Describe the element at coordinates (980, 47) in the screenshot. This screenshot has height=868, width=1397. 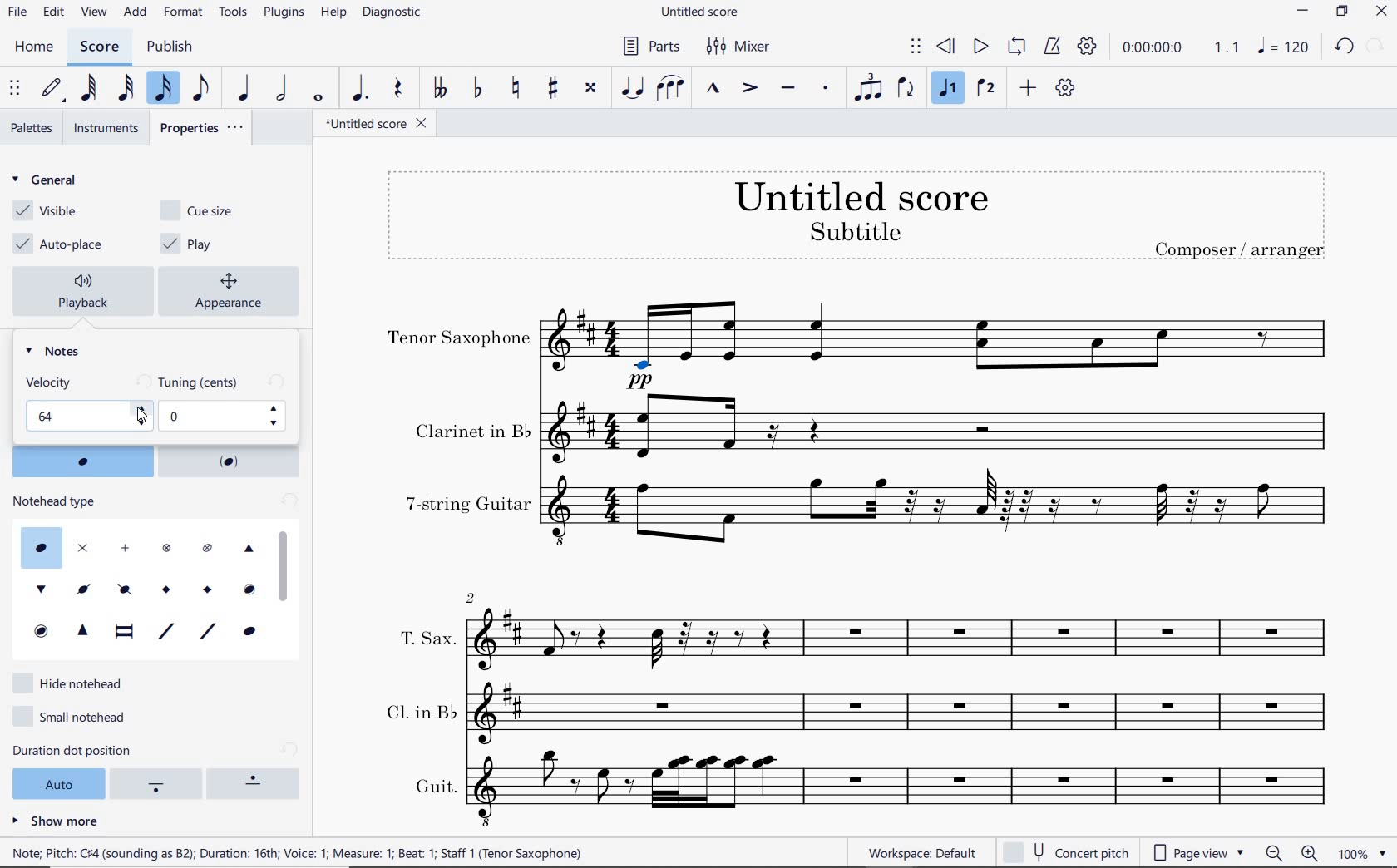
I see `PLAY` at that location.